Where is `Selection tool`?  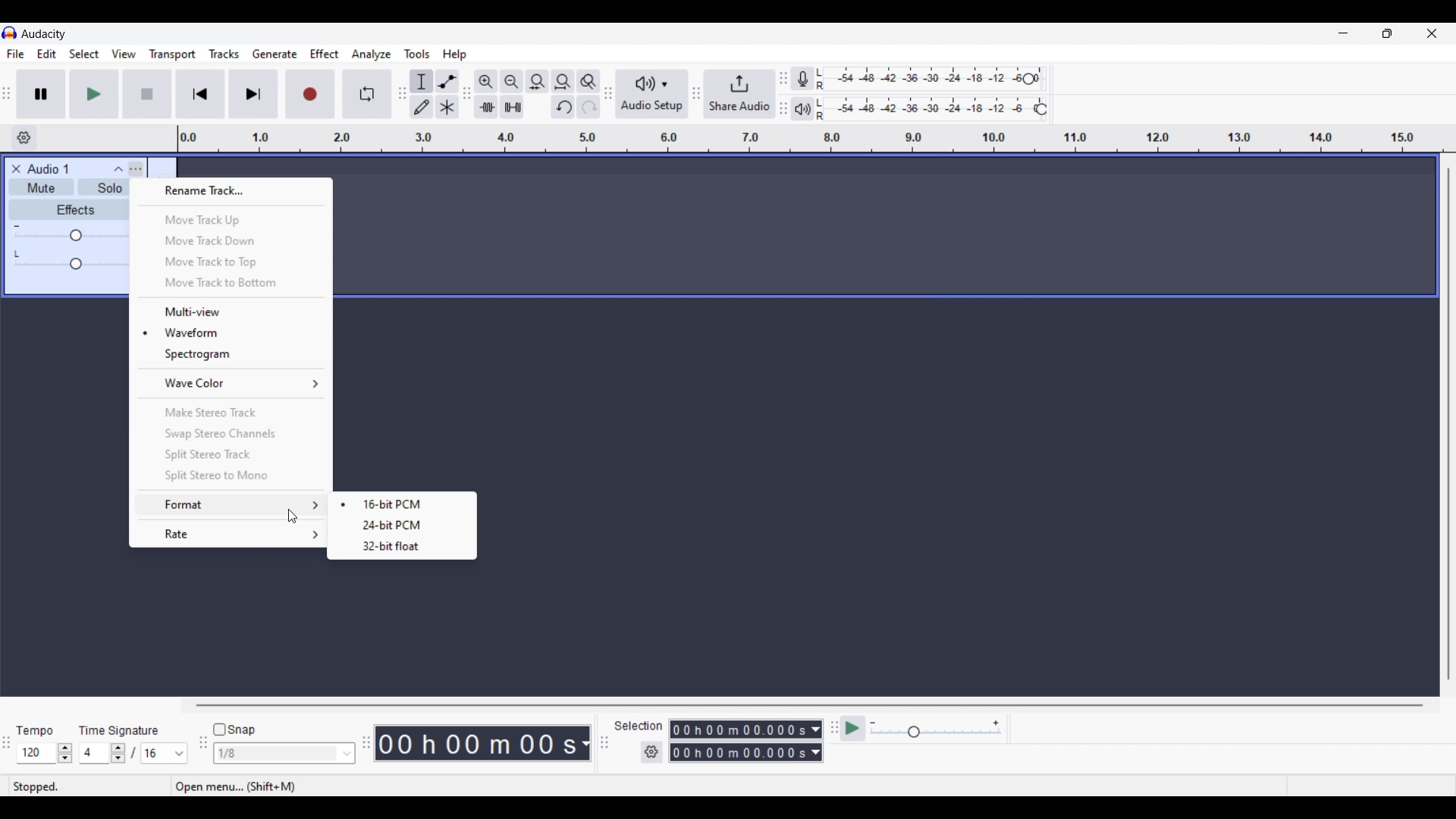 Selection tool is located at coordinates (422, 81).